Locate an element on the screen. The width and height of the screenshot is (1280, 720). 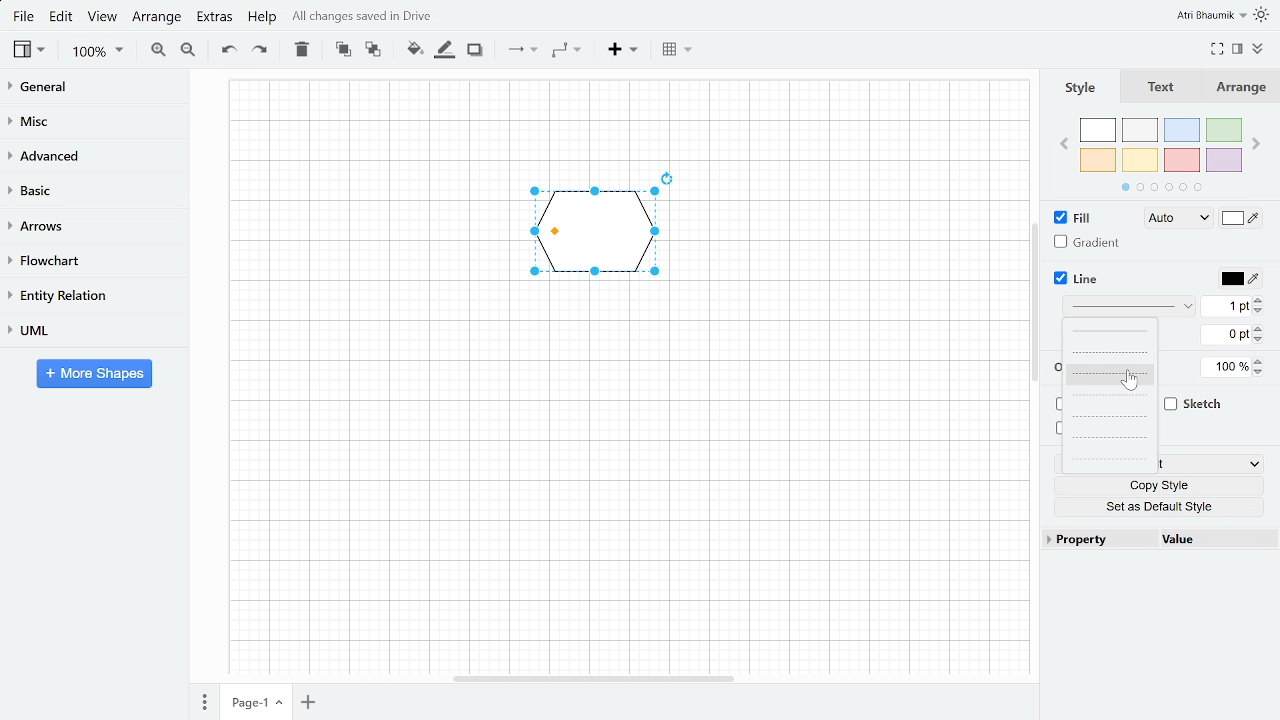
Arrange is located at coordinates (158, 18).